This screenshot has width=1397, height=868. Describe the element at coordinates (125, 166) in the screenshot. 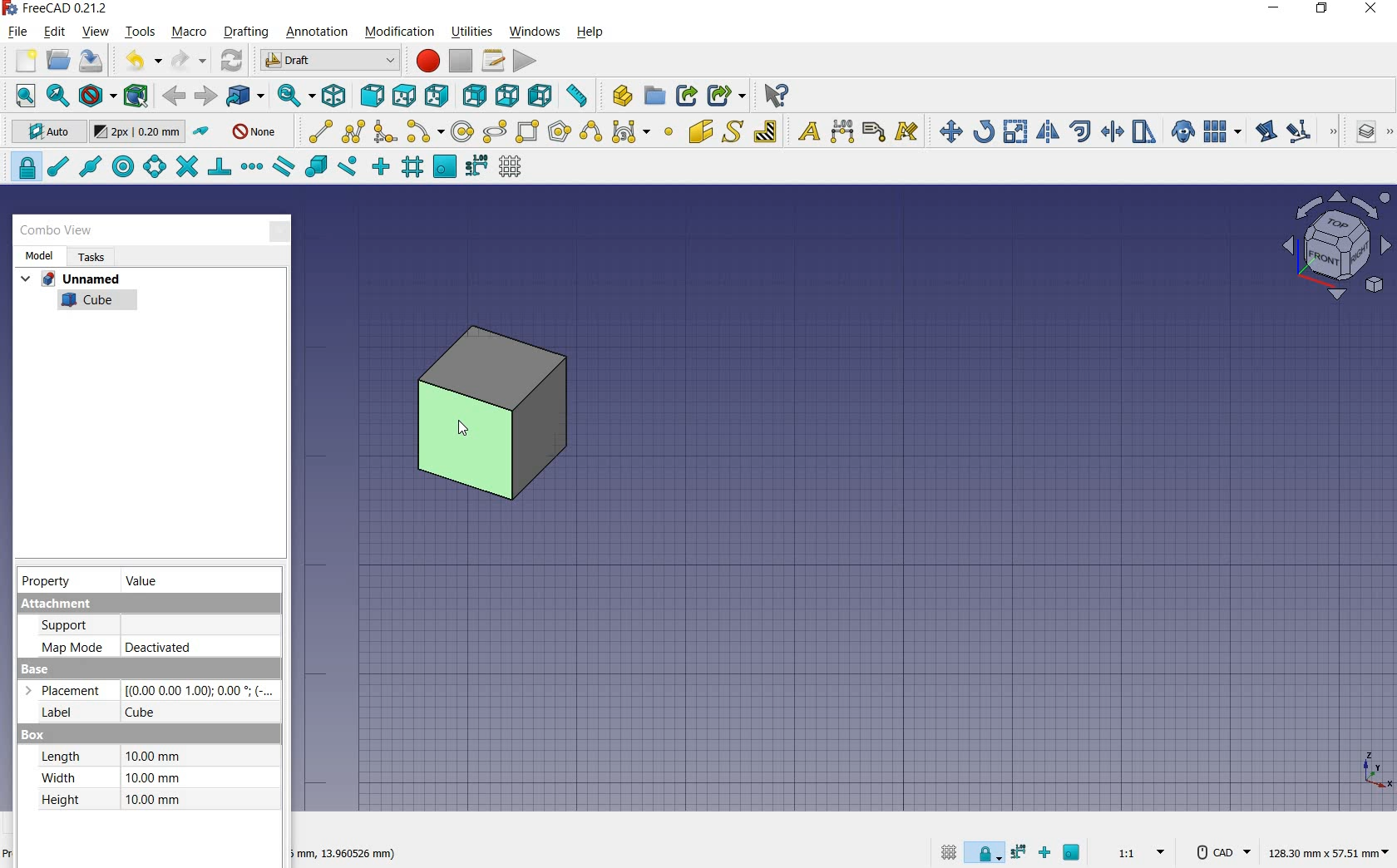

I see `snap center` at that location.